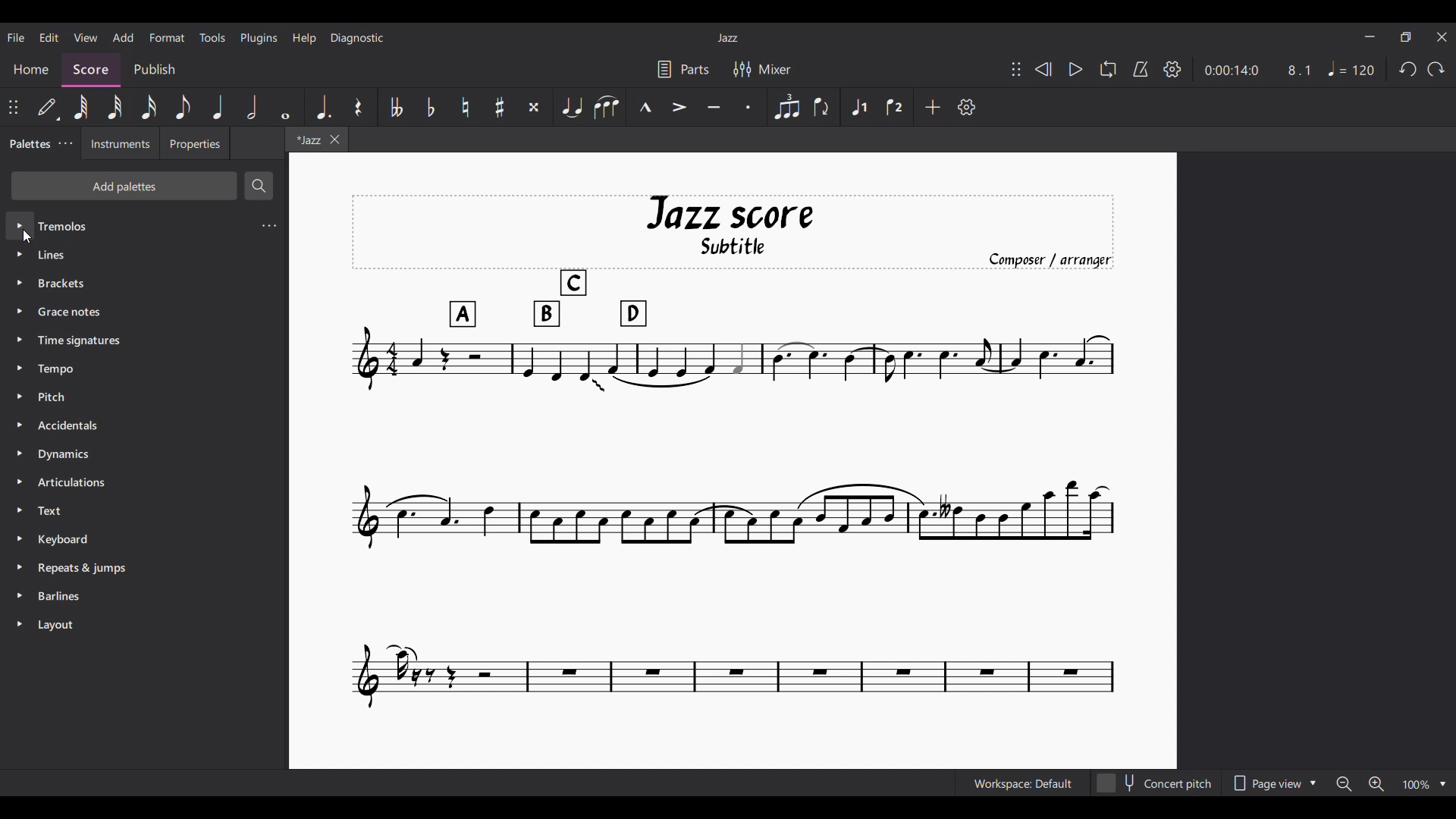  What do you see at coordinates (534, 107) in the screenshot?
I see `Toggle double sharp` at bounding box center [534, 107].